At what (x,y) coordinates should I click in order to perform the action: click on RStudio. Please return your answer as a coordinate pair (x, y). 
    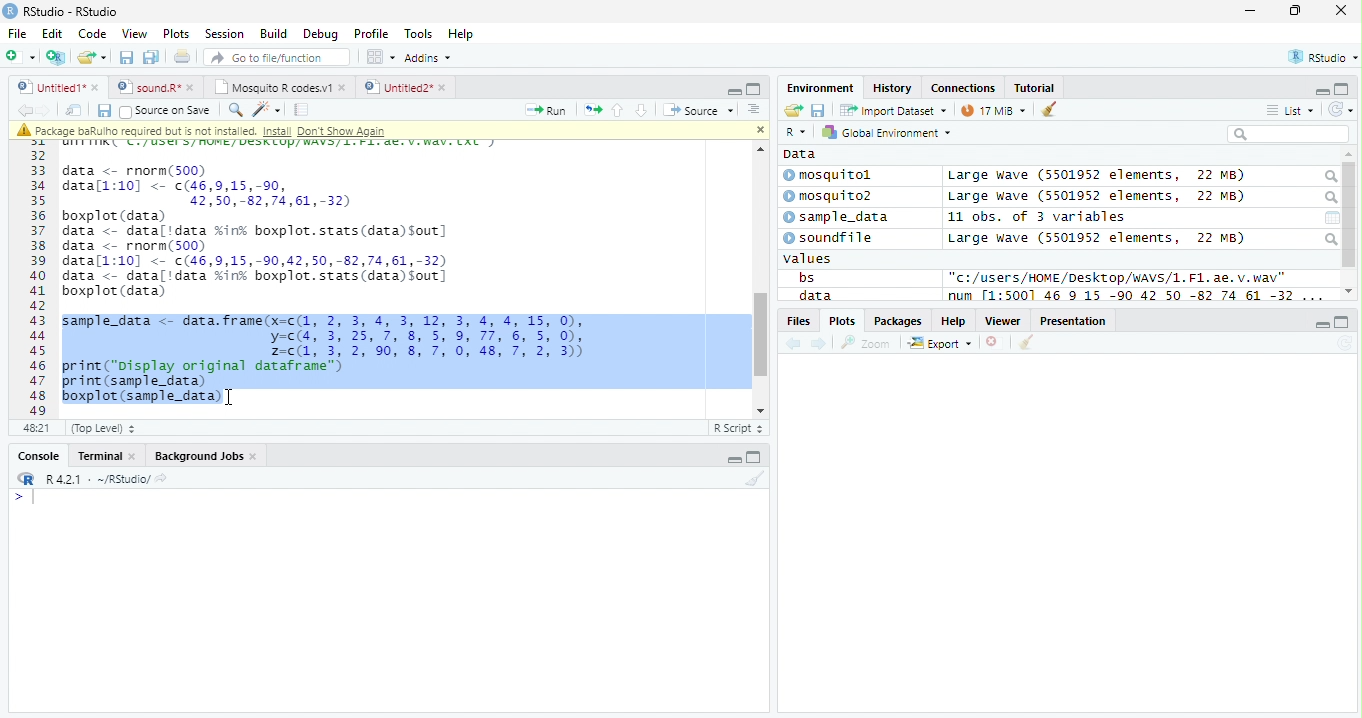
    Looking at the image, I should click on (1321, 56).